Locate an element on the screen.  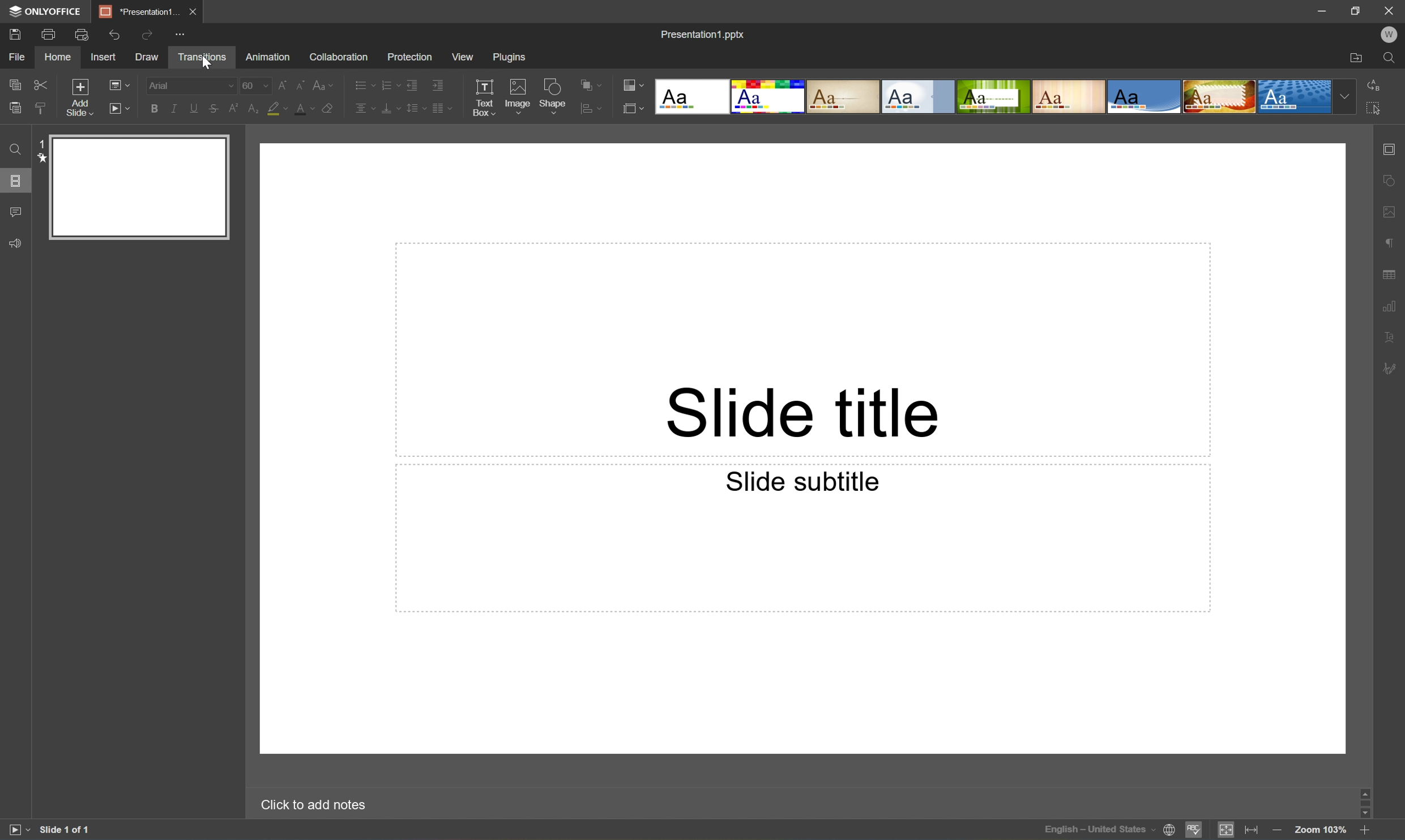
Protection is located at coordinates (410, 57).